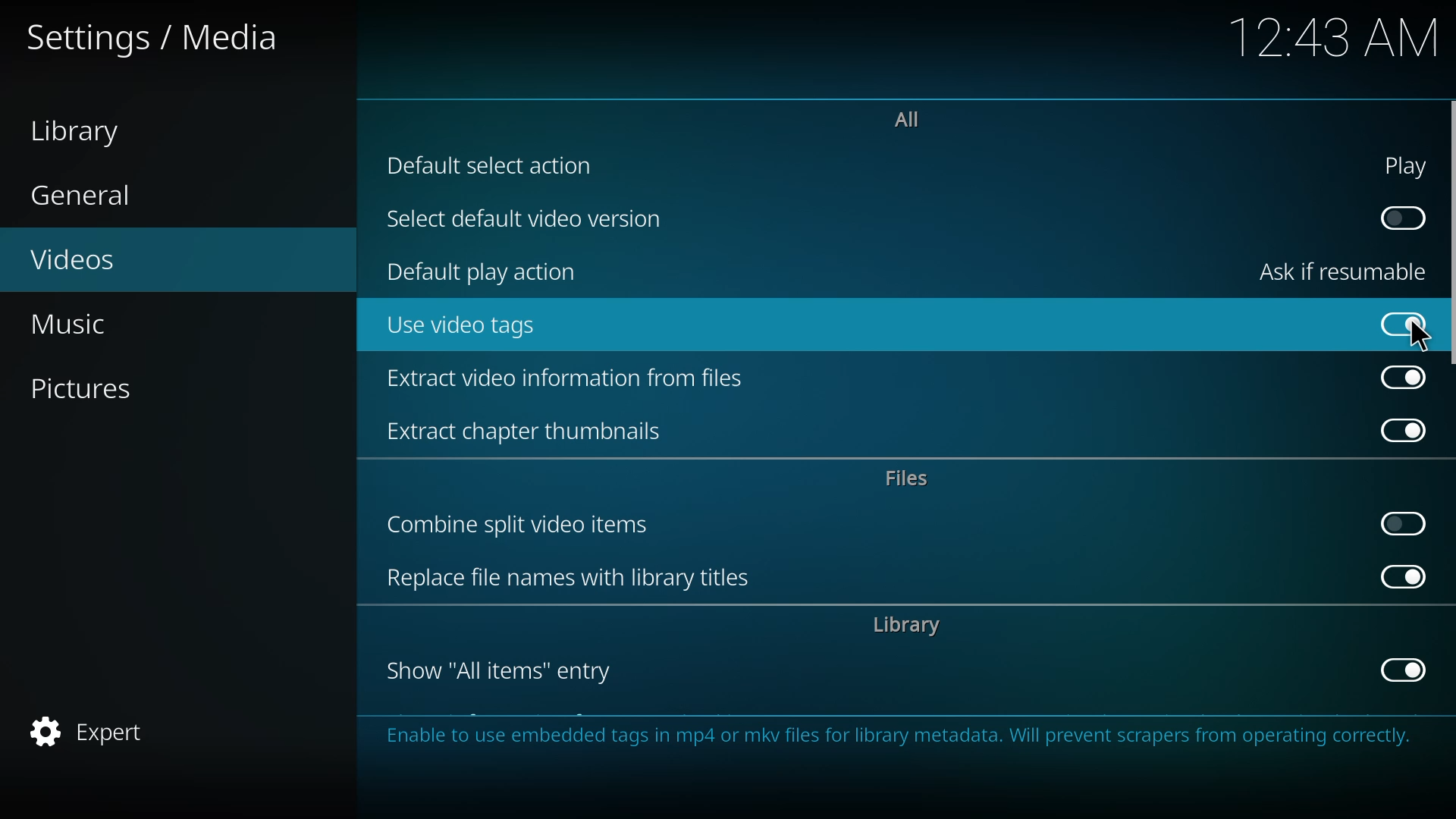 The image size is (1456, 819). Describe the element at coordinates (96, 730) in the screenshot. I see `expert` at that location.